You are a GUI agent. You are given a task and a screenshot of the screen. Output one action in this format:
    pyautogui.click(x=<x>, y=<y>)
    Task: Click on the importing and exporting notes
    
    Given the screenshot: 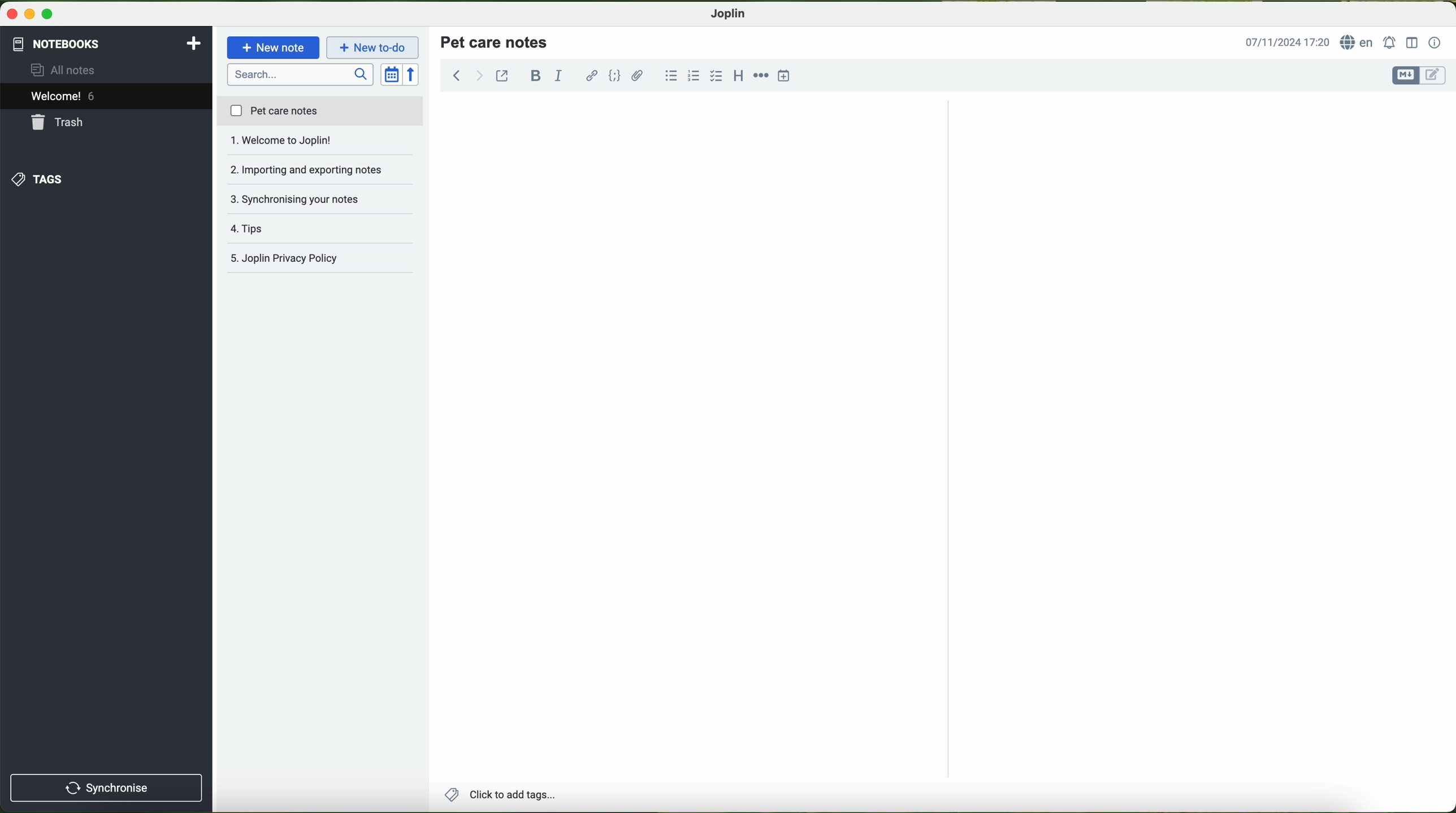 What is the action you would take?
    pyautogui.click(x=320, y=144)
    